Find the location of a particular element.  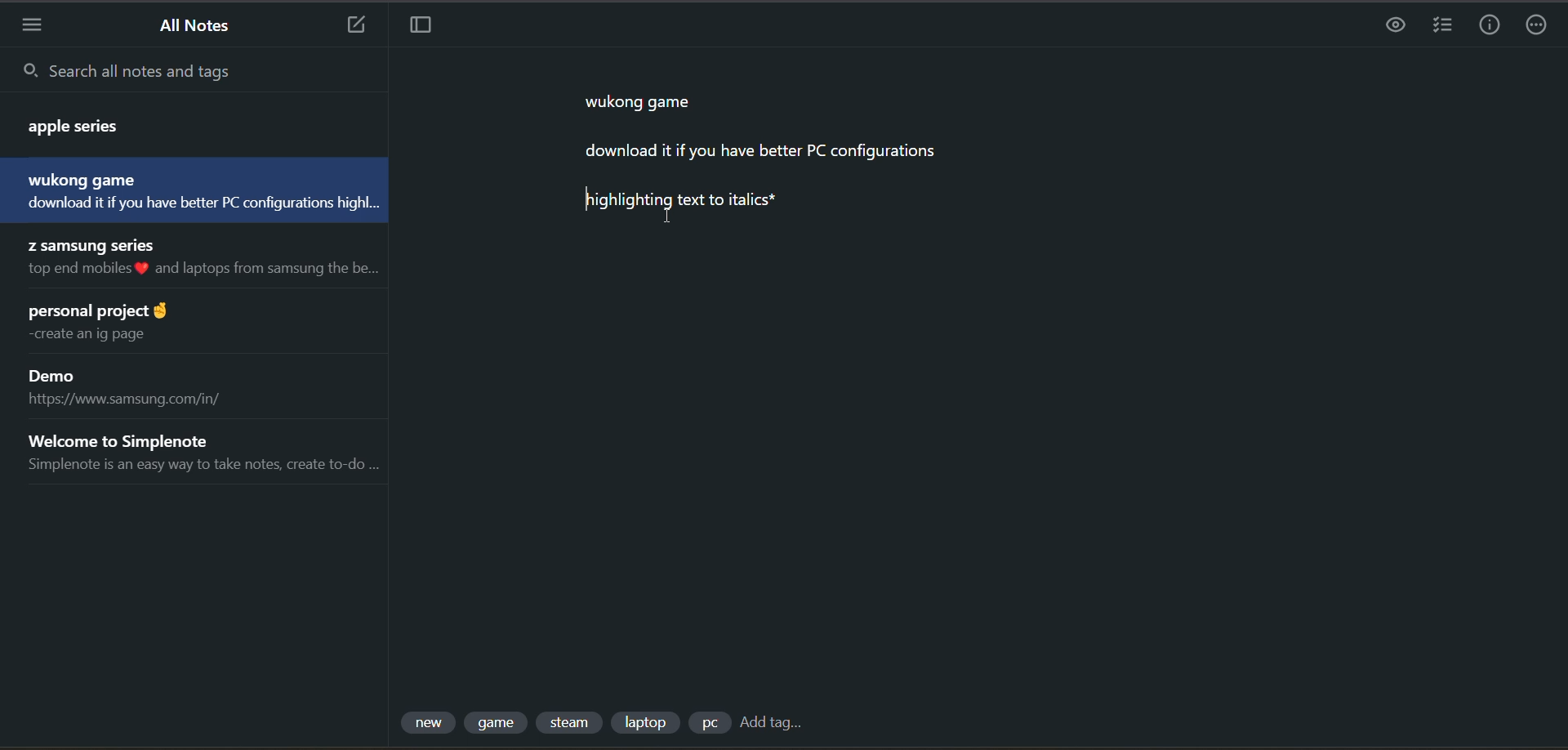

menu is located at coordinates (32, 24).